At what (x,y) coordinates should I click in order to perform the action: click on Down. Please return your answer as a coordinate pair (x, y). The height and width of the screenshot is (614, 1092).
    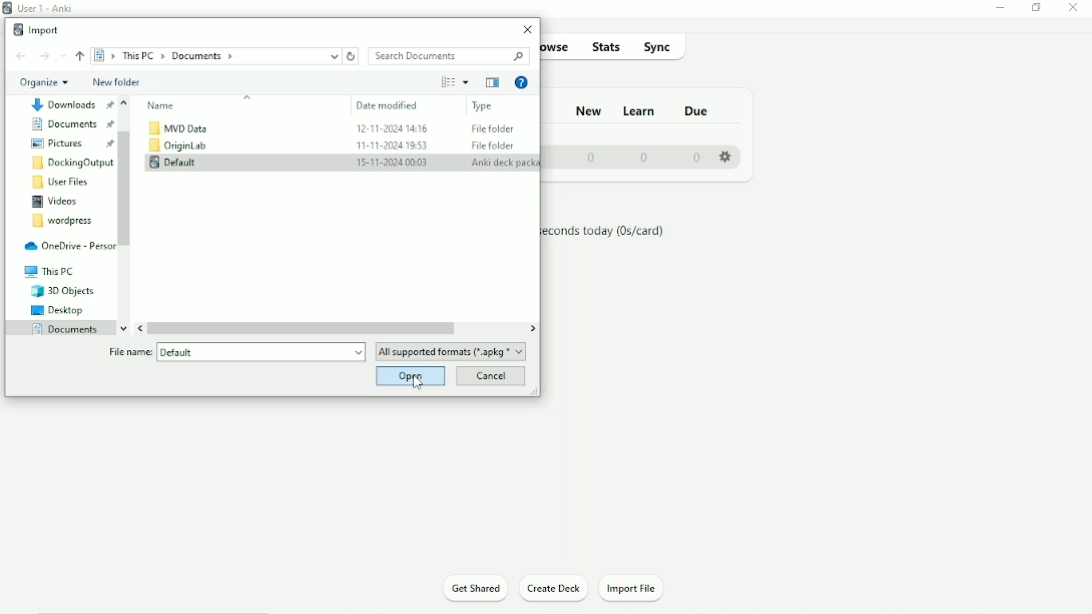
    Looking at the image, I should click on (126, 323).